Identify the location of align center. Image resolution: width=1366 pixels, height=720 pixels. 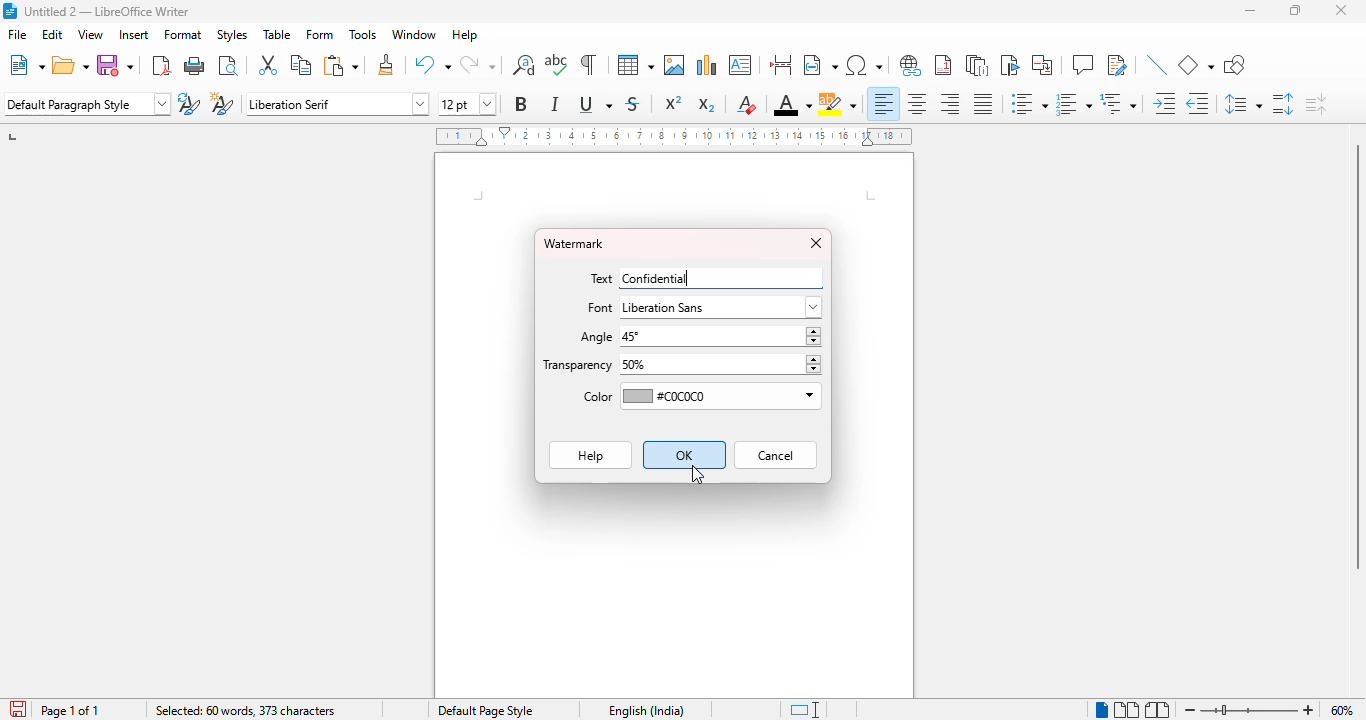
(917, 103).